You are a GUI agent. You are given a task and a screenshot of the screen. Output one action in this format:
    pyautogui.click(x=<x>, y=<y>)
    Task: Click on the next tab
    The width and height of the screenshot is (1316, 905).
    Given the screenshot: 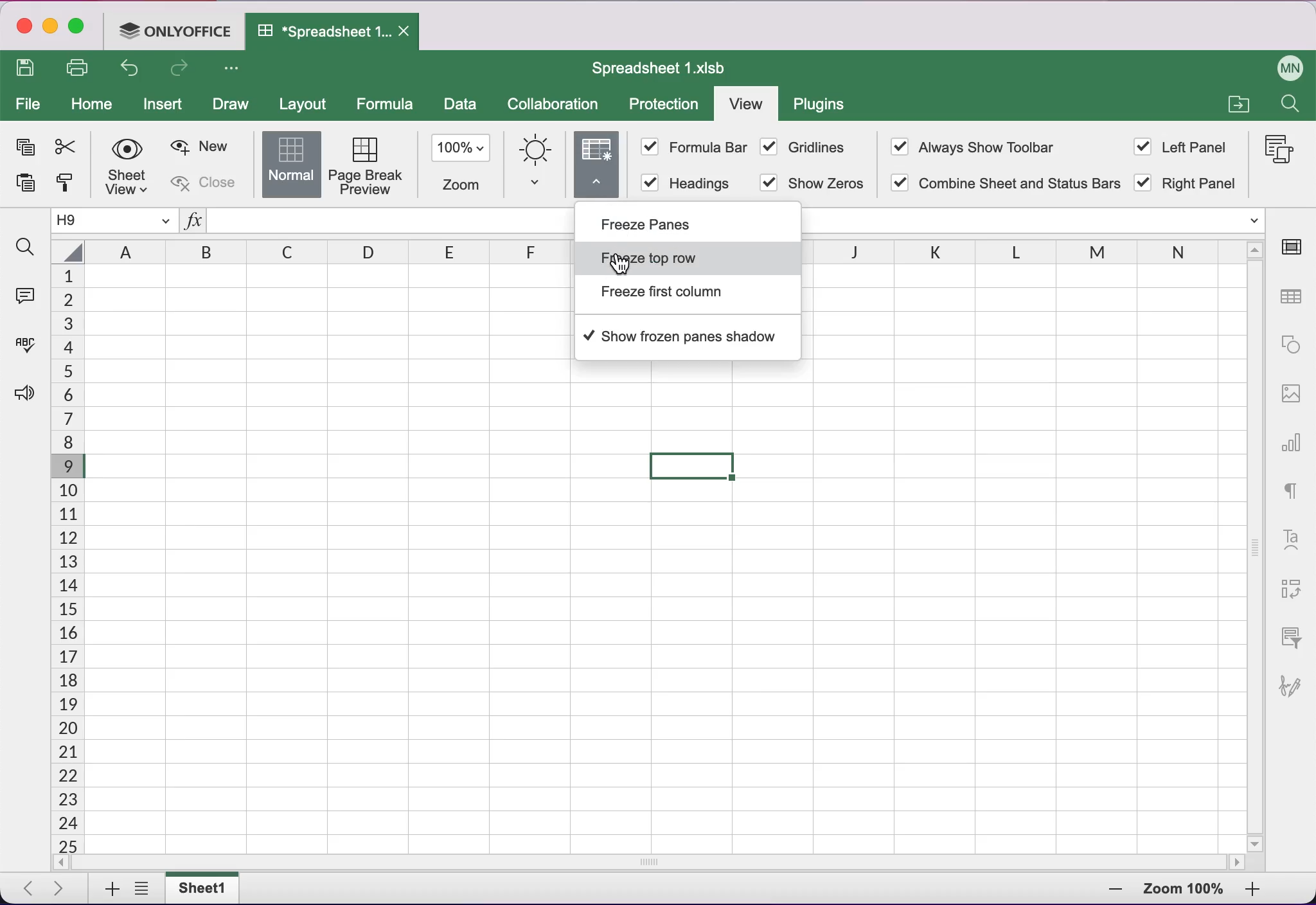 What is the action you would take?
    pyautogui.click(x=63, y=890)
    